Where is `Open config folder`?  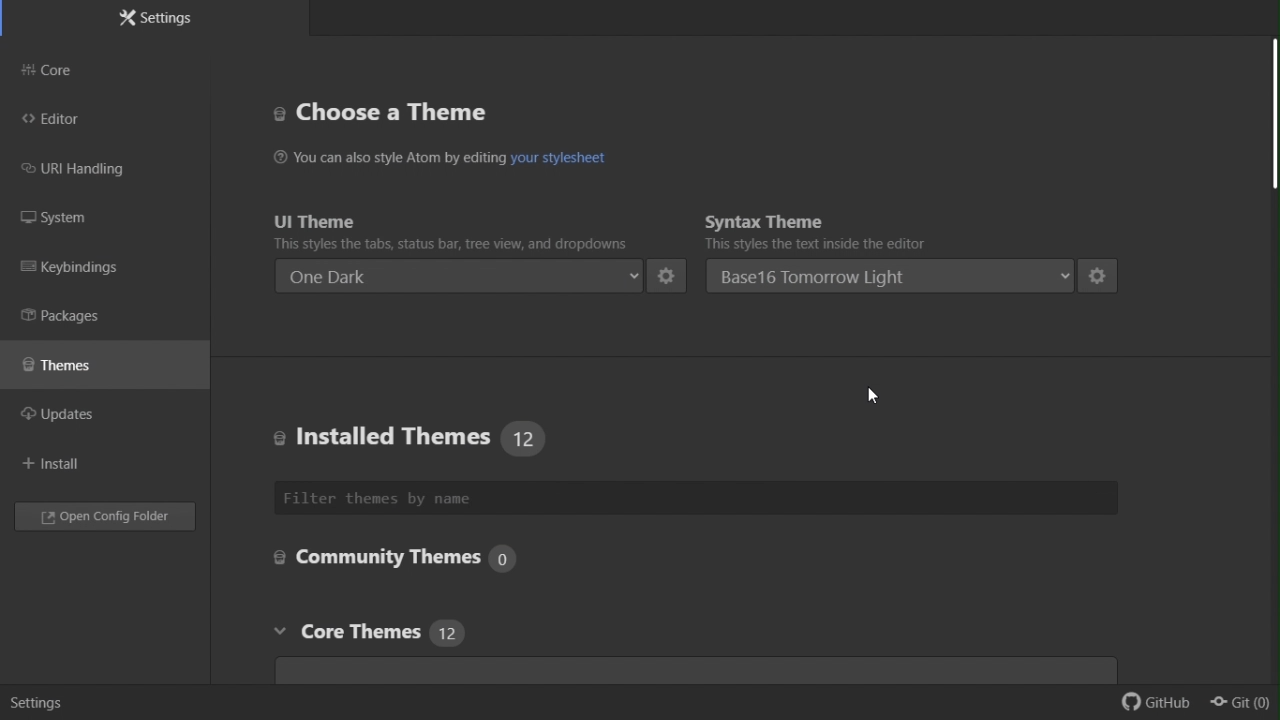 Open config folder is located at coordinates (110, 519).